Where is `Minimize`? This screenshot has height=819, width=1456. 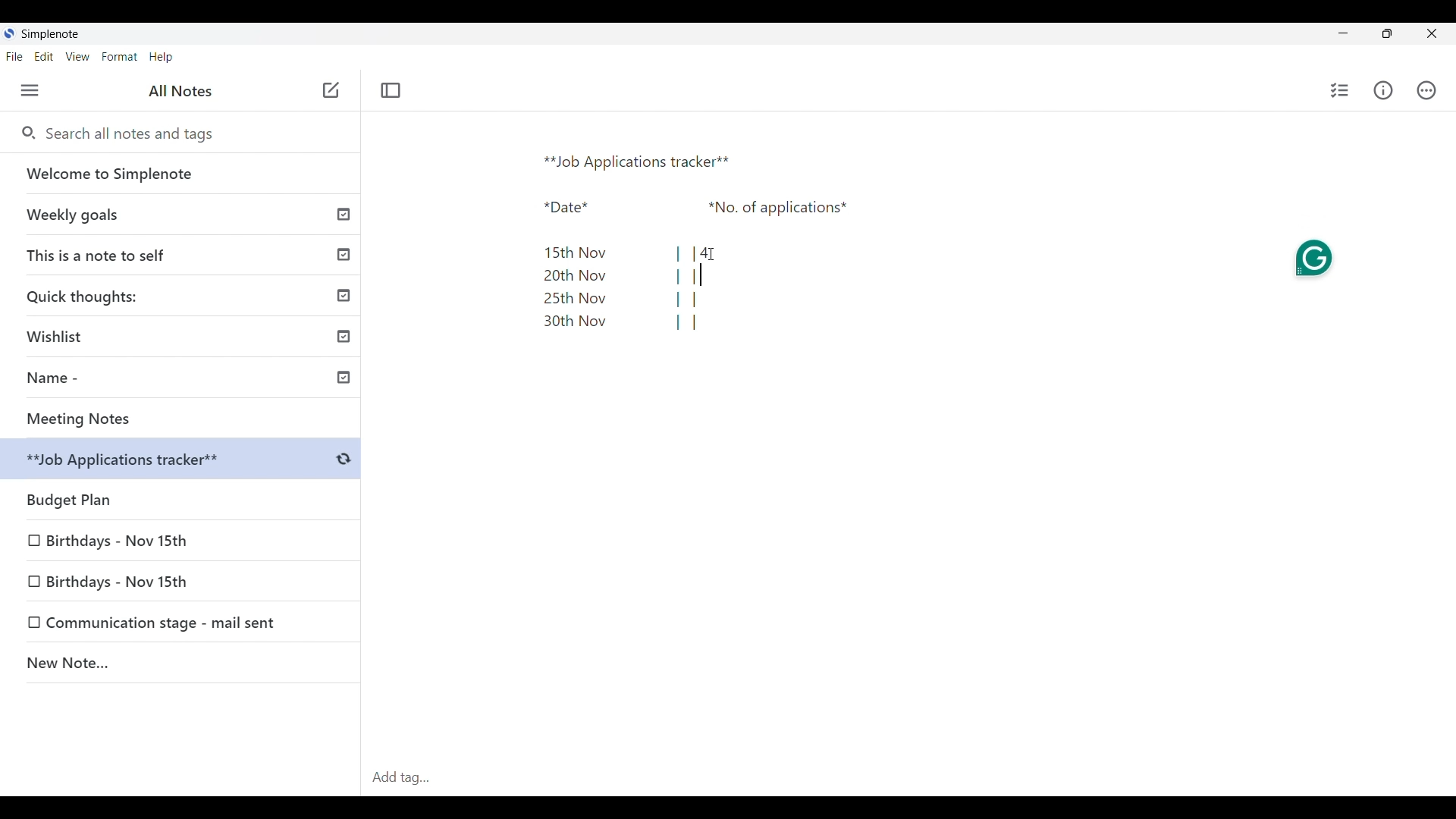
Minimize is located at coordinates (1343, 33).